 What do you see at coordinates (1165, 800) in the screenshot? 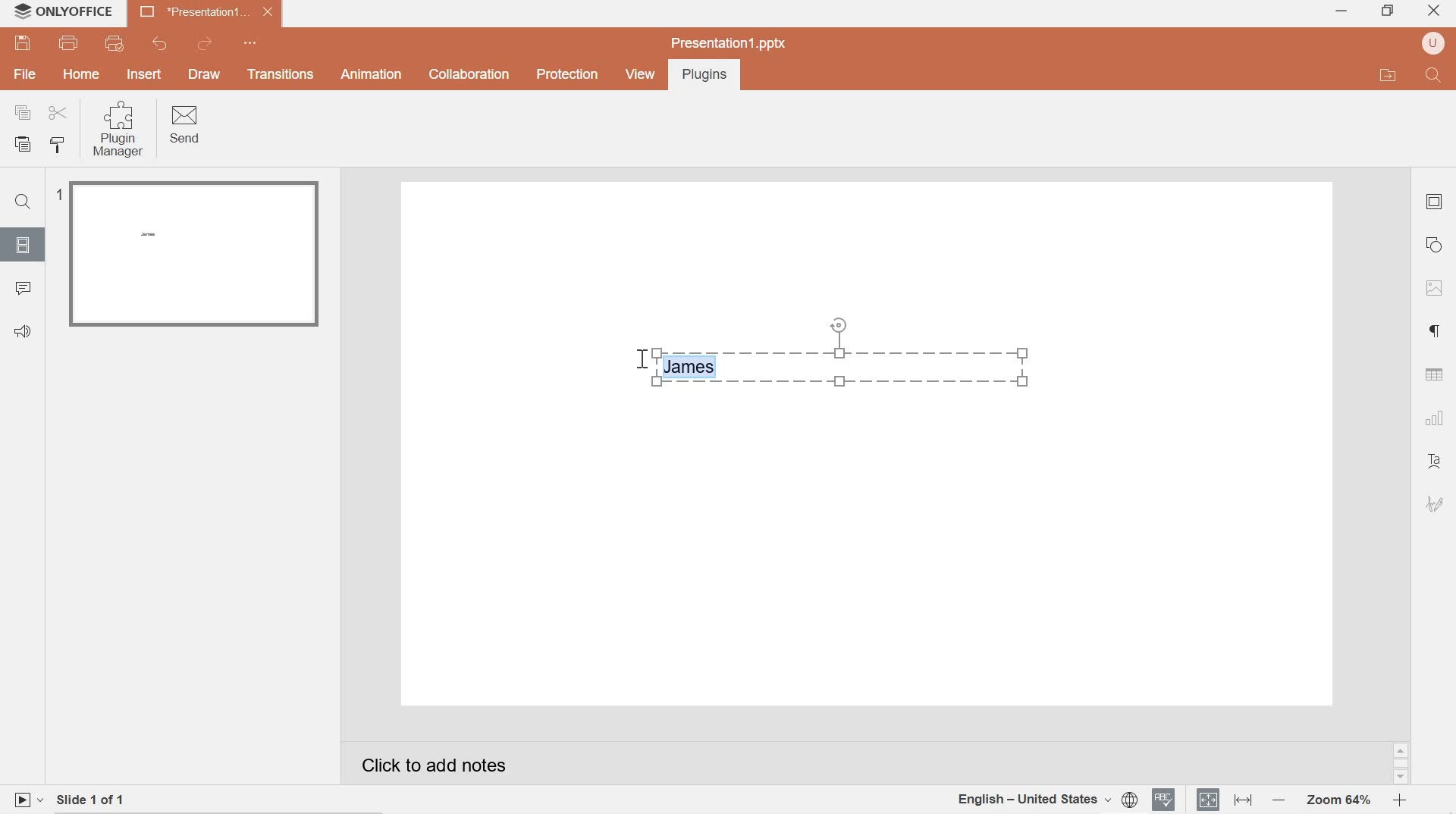
I see `spell checker` at bounding box center [1165, 800].